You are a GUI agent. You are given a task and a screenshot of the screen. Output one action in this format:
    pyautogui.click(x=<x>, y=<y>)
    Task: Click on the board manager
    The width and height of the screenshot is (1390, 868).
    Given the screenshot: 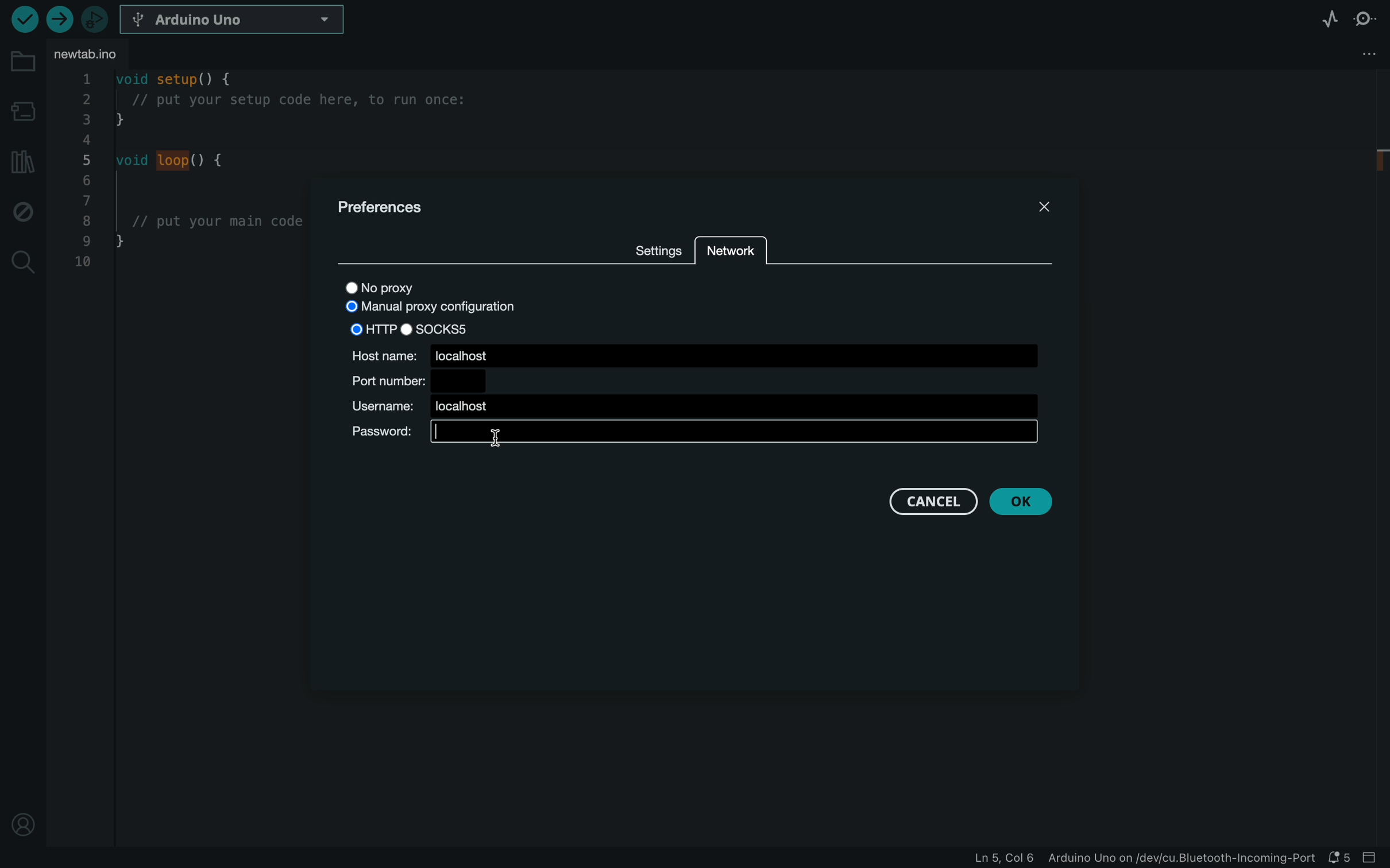 What is the action you would take?
    pyautogui.click(x=22, y=106)
    